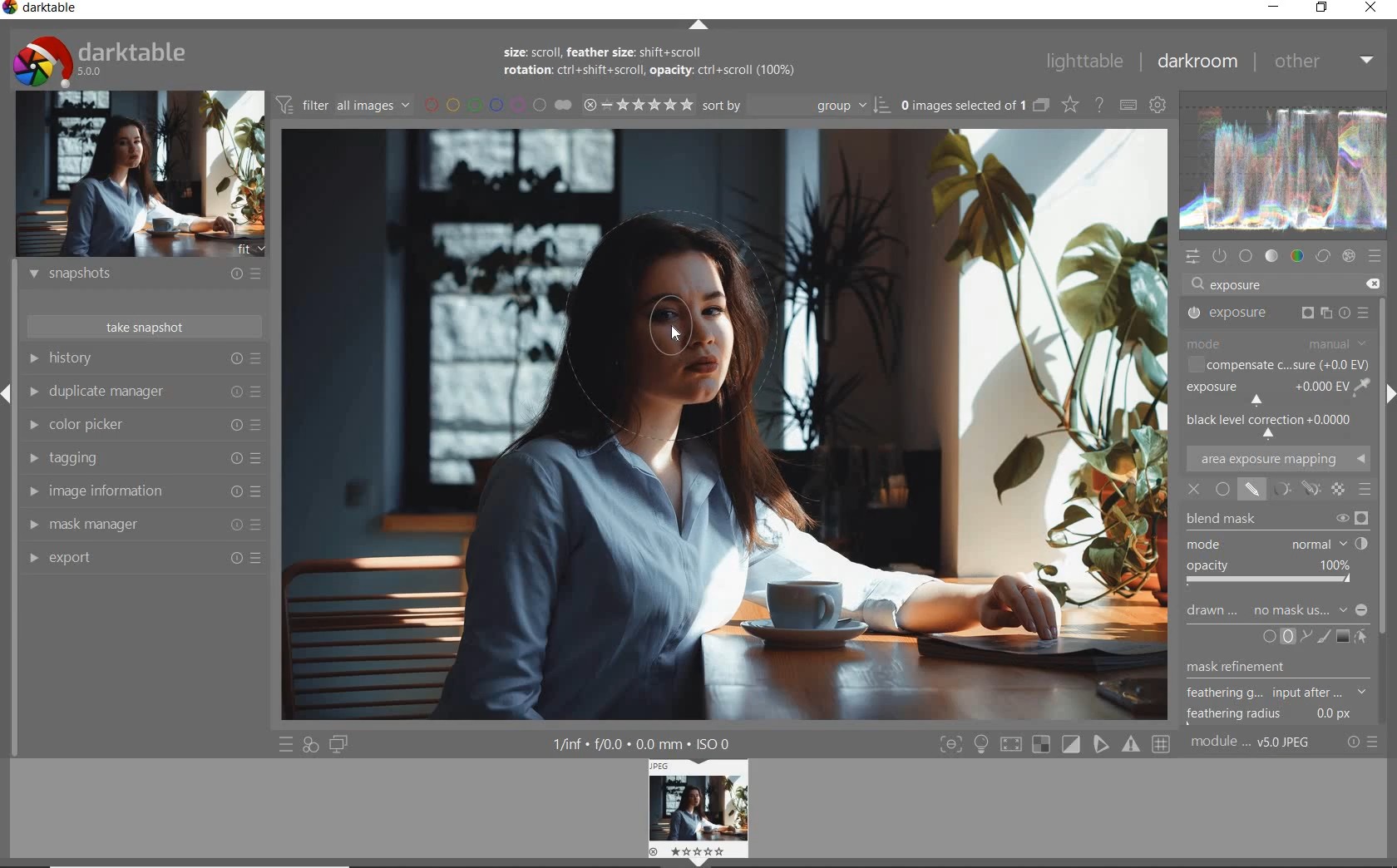  Describe the element at coordinates (1362, 742) in the screenshot. I see `reset or presets & preferences` at that location.